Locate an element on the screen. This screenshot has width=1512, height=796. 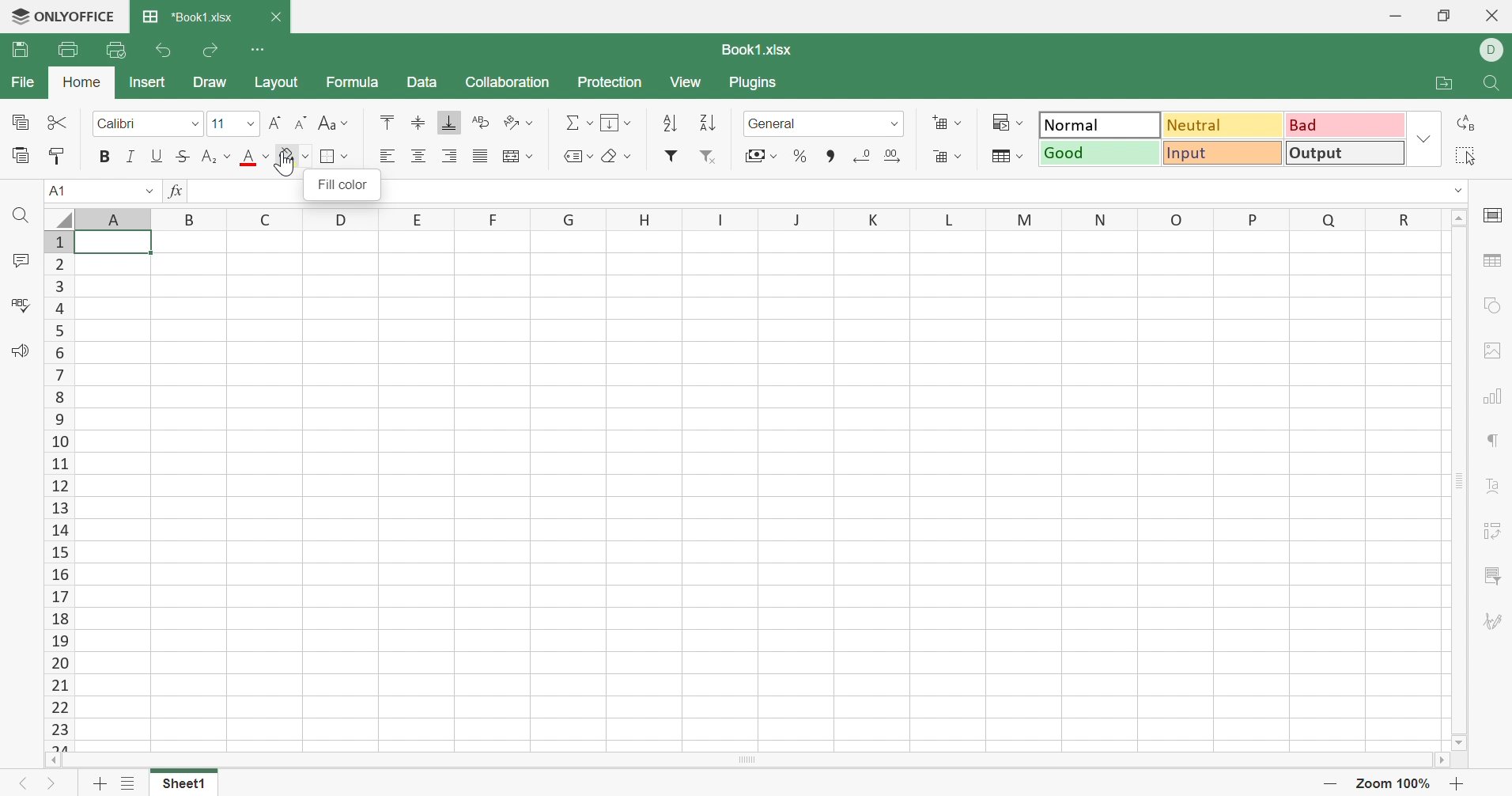
Comments is located at coordinates (18, 260).